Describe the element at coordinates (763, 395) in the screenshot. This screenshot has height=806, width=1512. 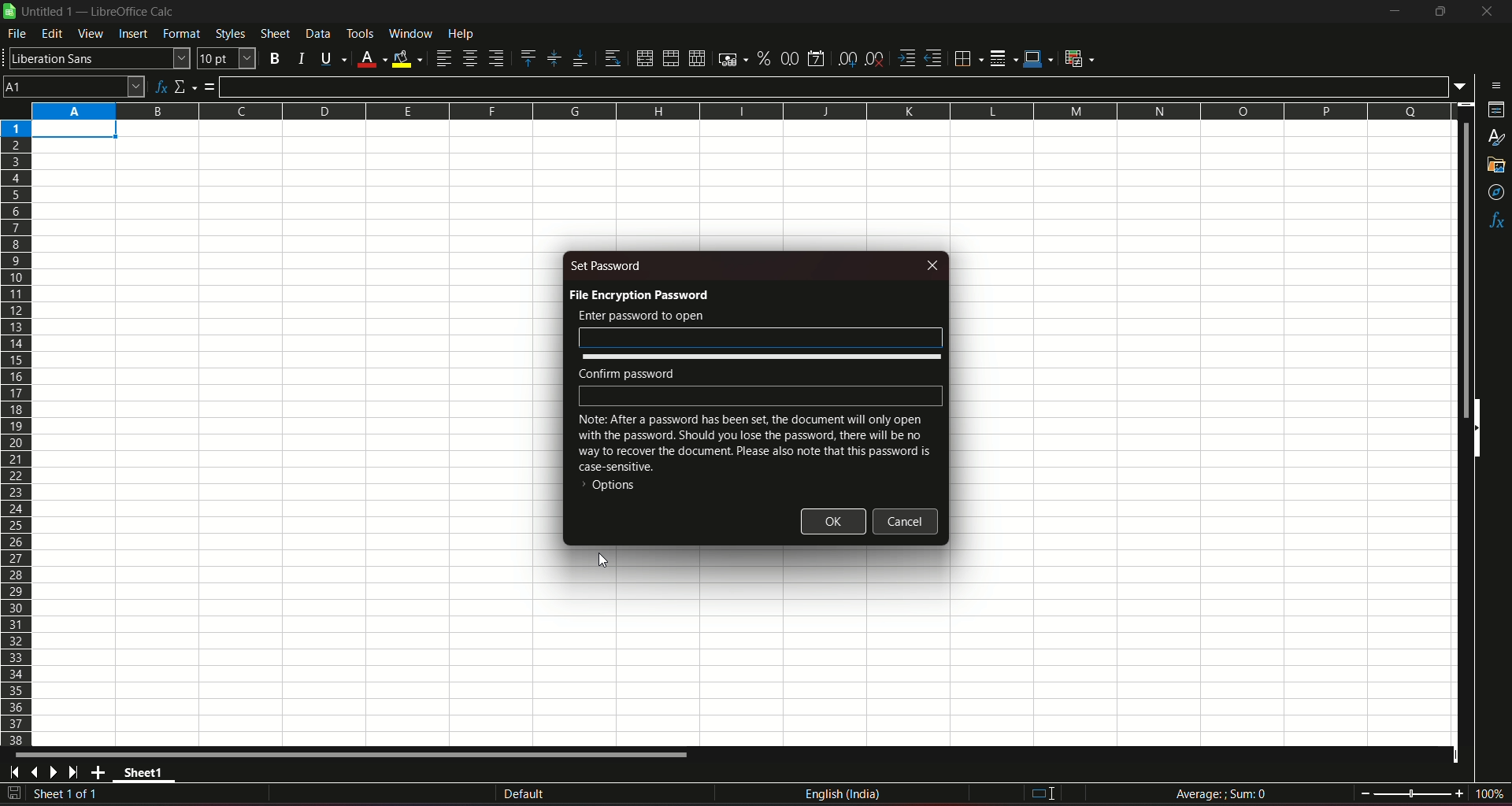
I see `password input box` at that location.